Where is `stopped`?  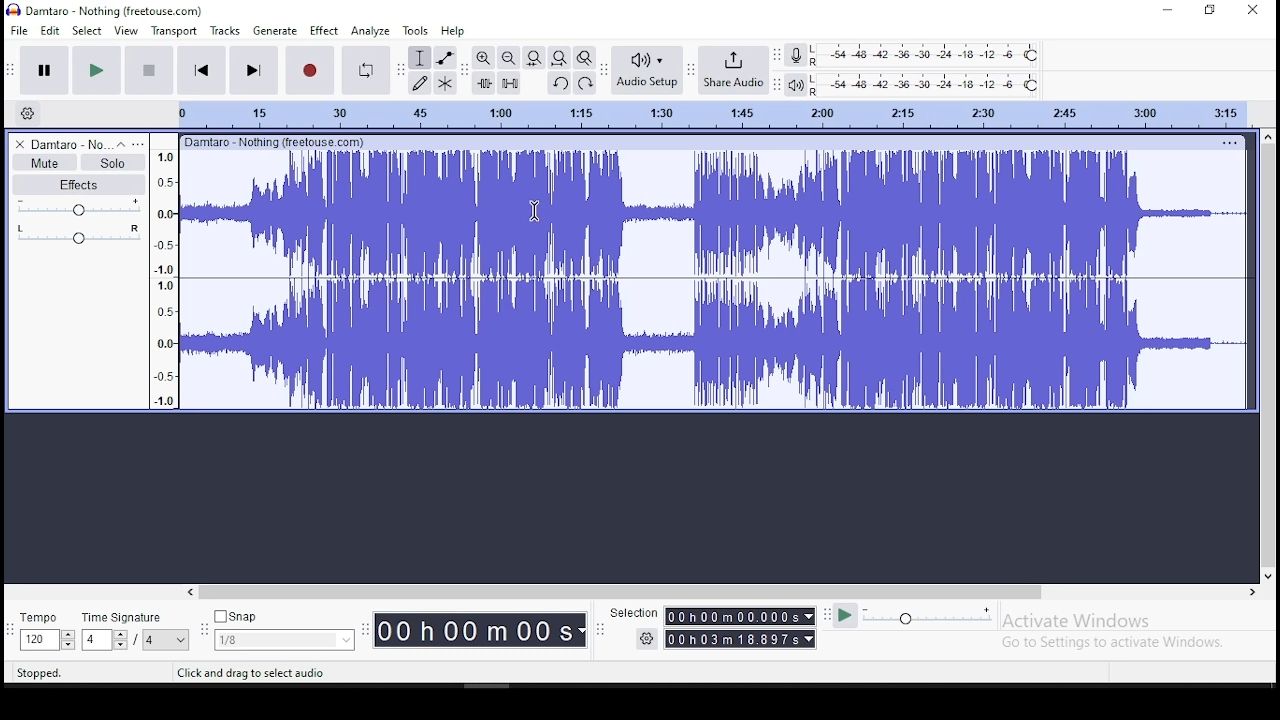 stopped is located at coordinates (39, 673).